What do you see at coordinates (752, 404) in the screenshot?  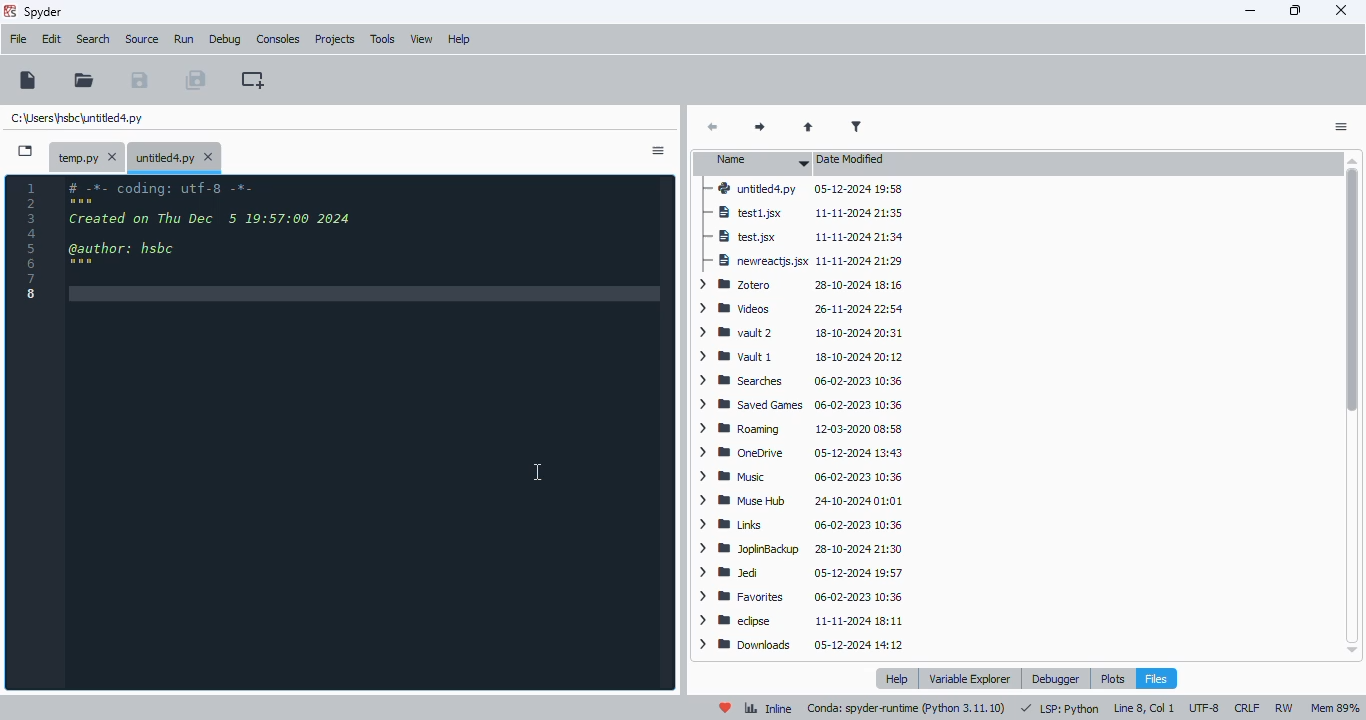 I see `saved games ` at bounding box center [752, 404].